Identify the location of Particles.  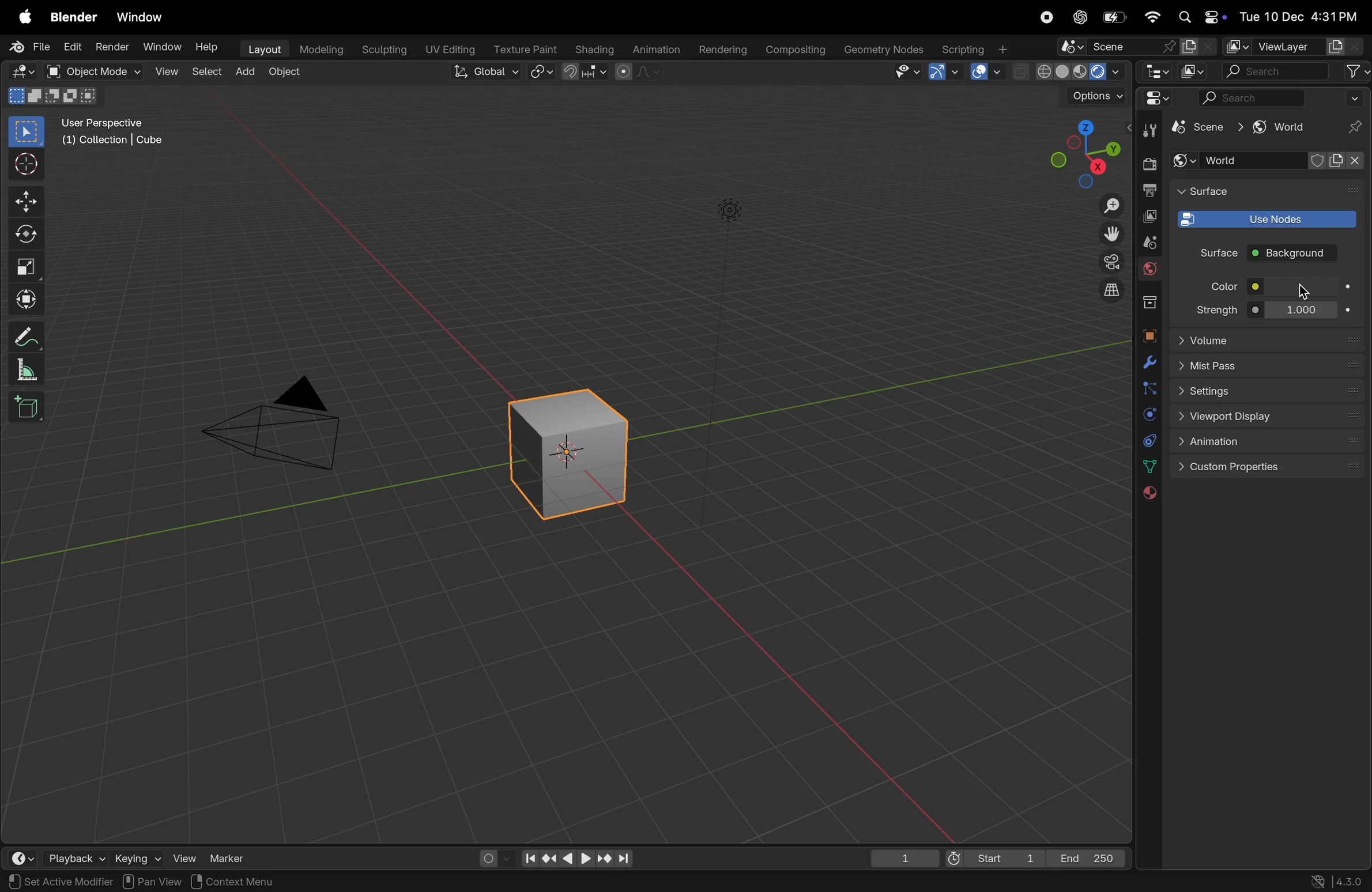
(1149, 390).